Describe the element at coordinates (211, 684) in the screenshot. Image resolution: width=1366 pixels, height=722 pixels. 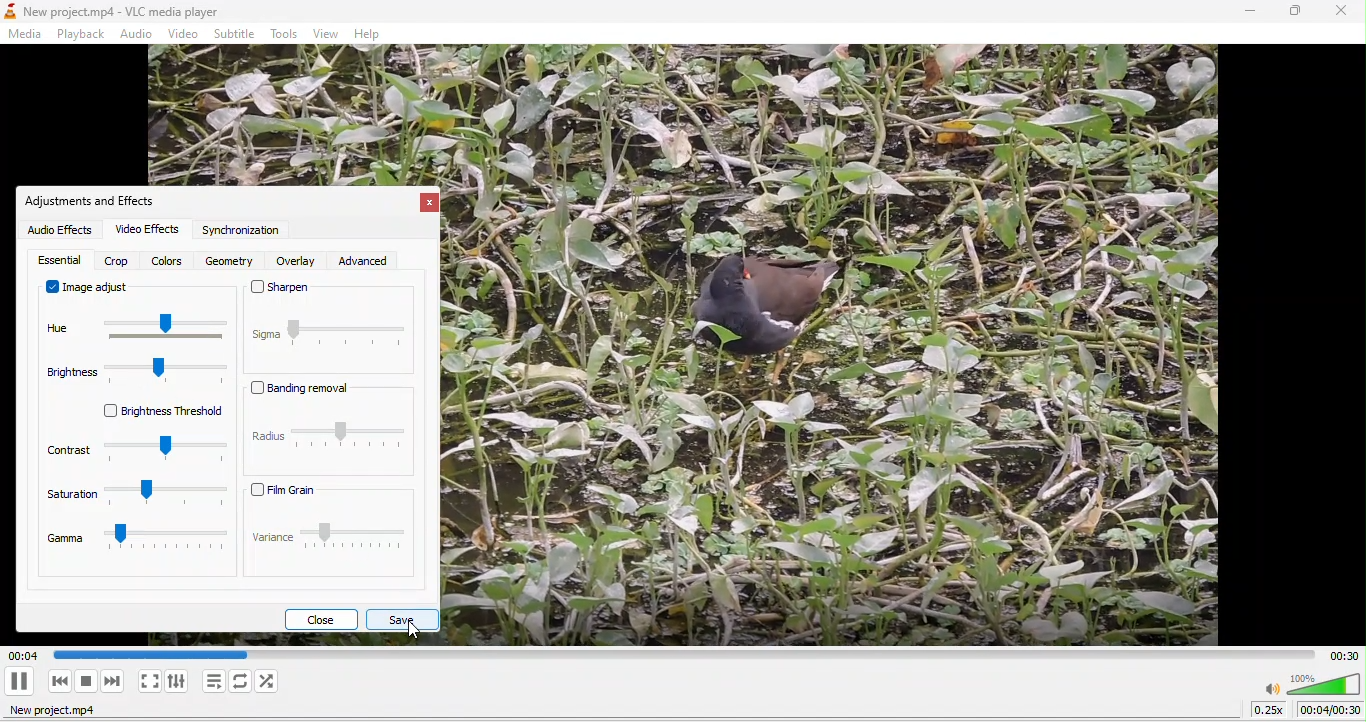
I see `toggle playlist` at that location.